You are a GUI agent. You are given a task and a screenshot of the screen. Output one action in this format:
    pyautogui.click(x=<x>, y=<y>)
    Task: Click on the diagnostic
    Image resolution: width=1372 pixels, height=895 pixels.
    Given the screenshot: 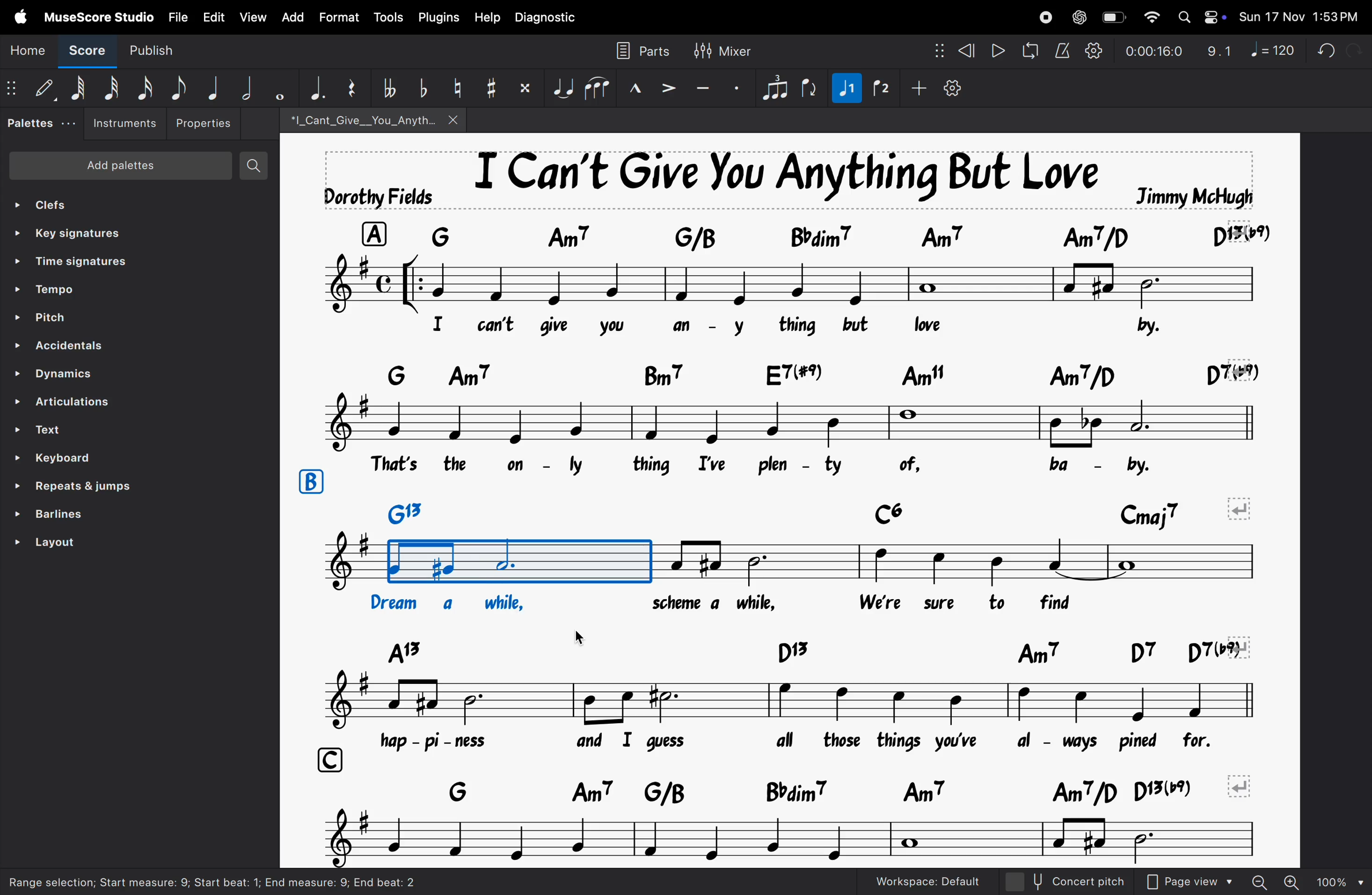 What is the action you would take?
    pyautogui.click(x=550, y=19)
    